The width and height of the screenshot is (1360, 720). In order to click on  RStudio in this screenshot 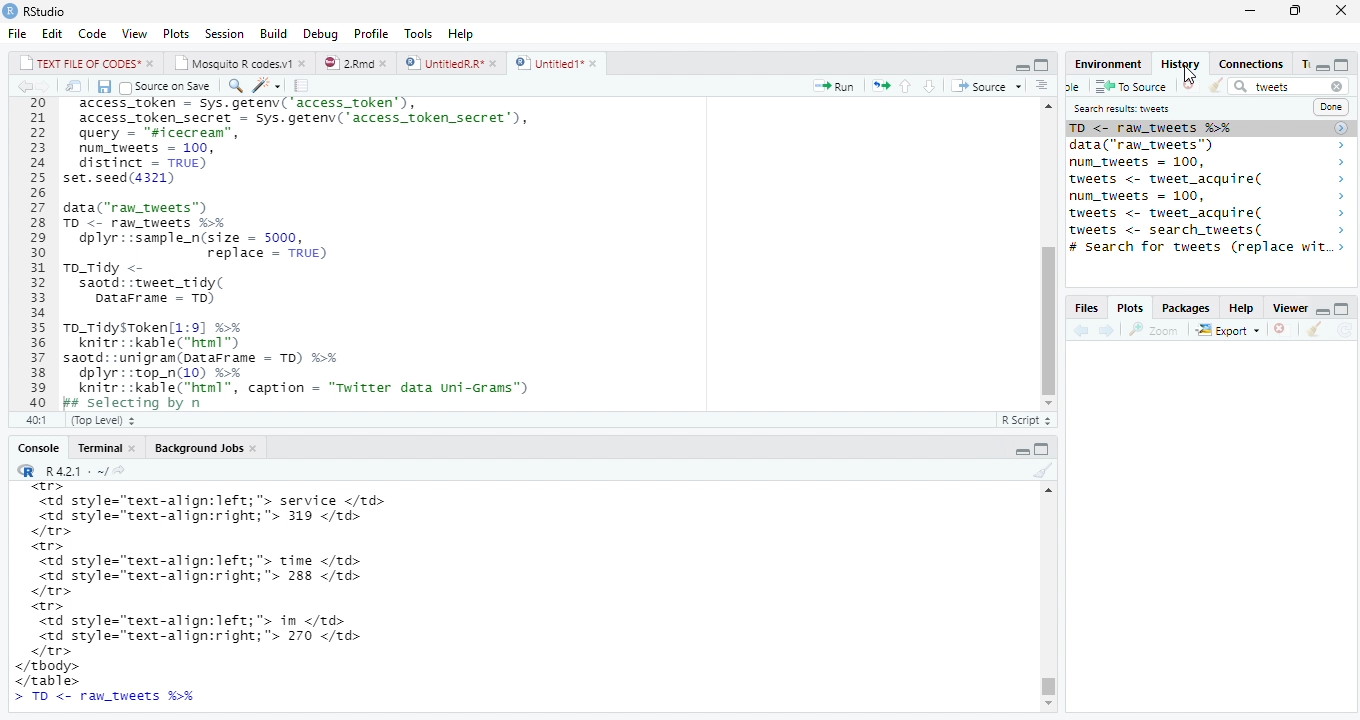, I will do `click(56, 11)`.